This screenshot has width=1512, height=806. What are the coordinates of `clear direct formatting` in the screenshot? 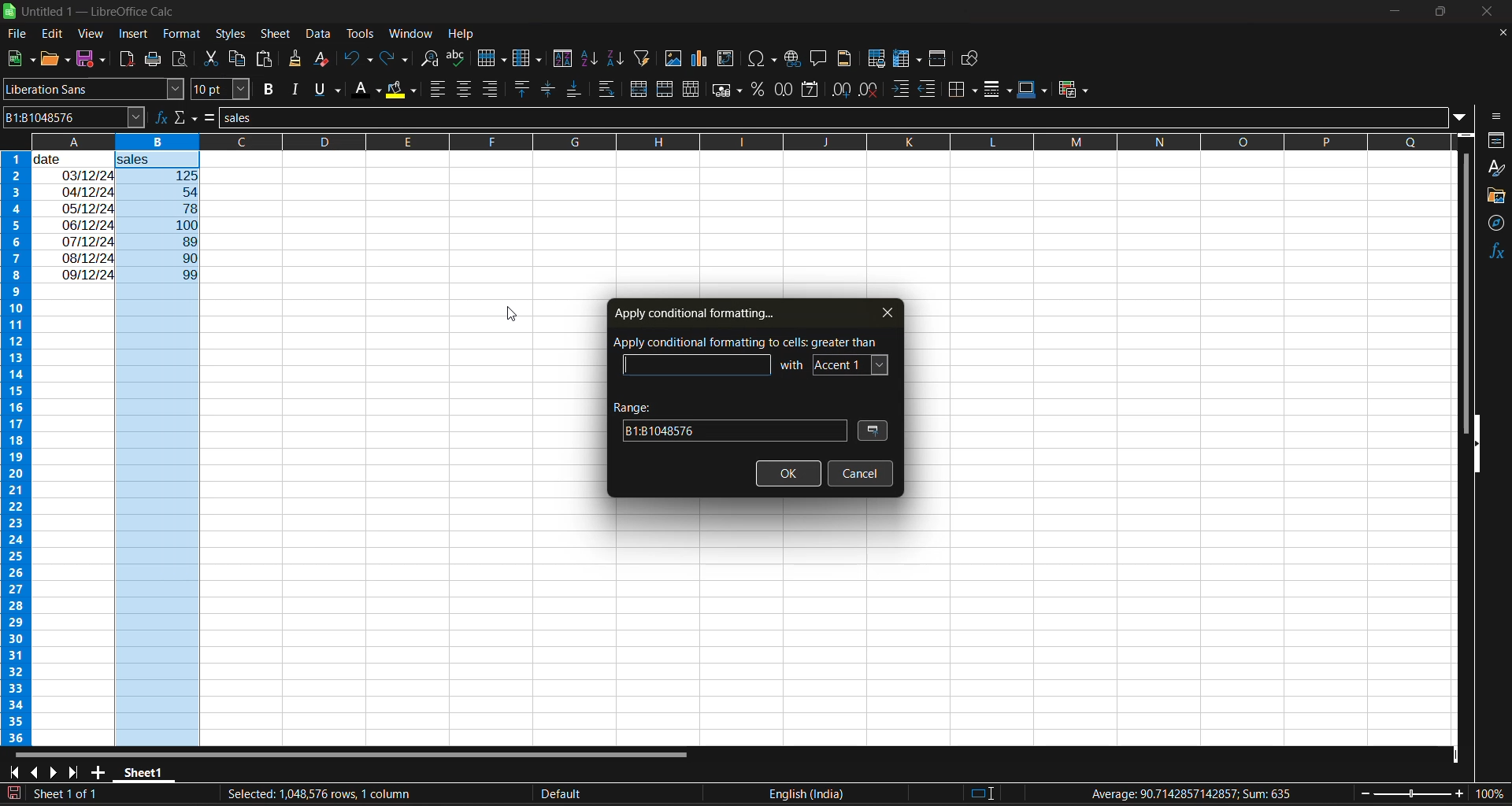 It's located at (324, 61).